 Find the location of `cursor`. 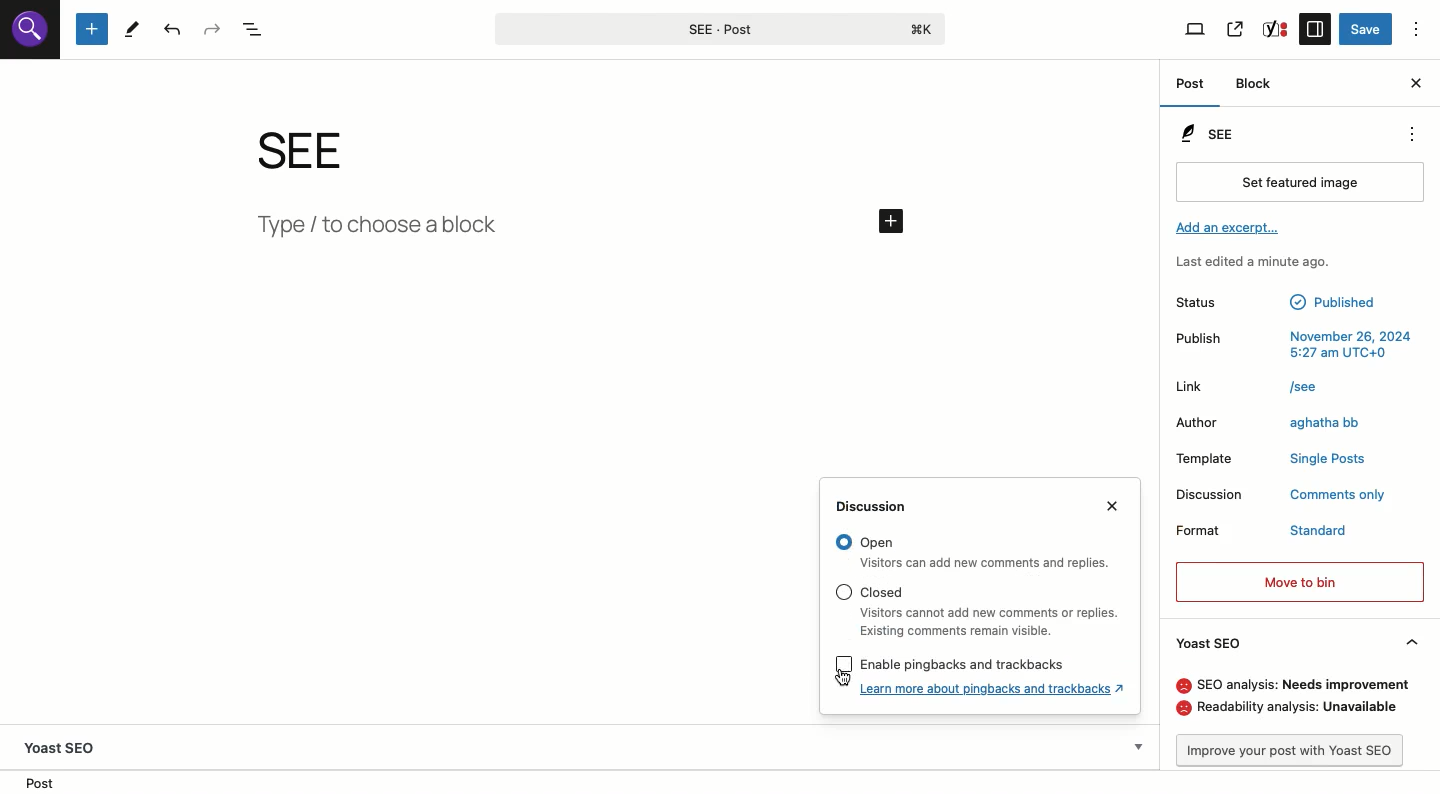

cursor is located at coordinates (837, 683).